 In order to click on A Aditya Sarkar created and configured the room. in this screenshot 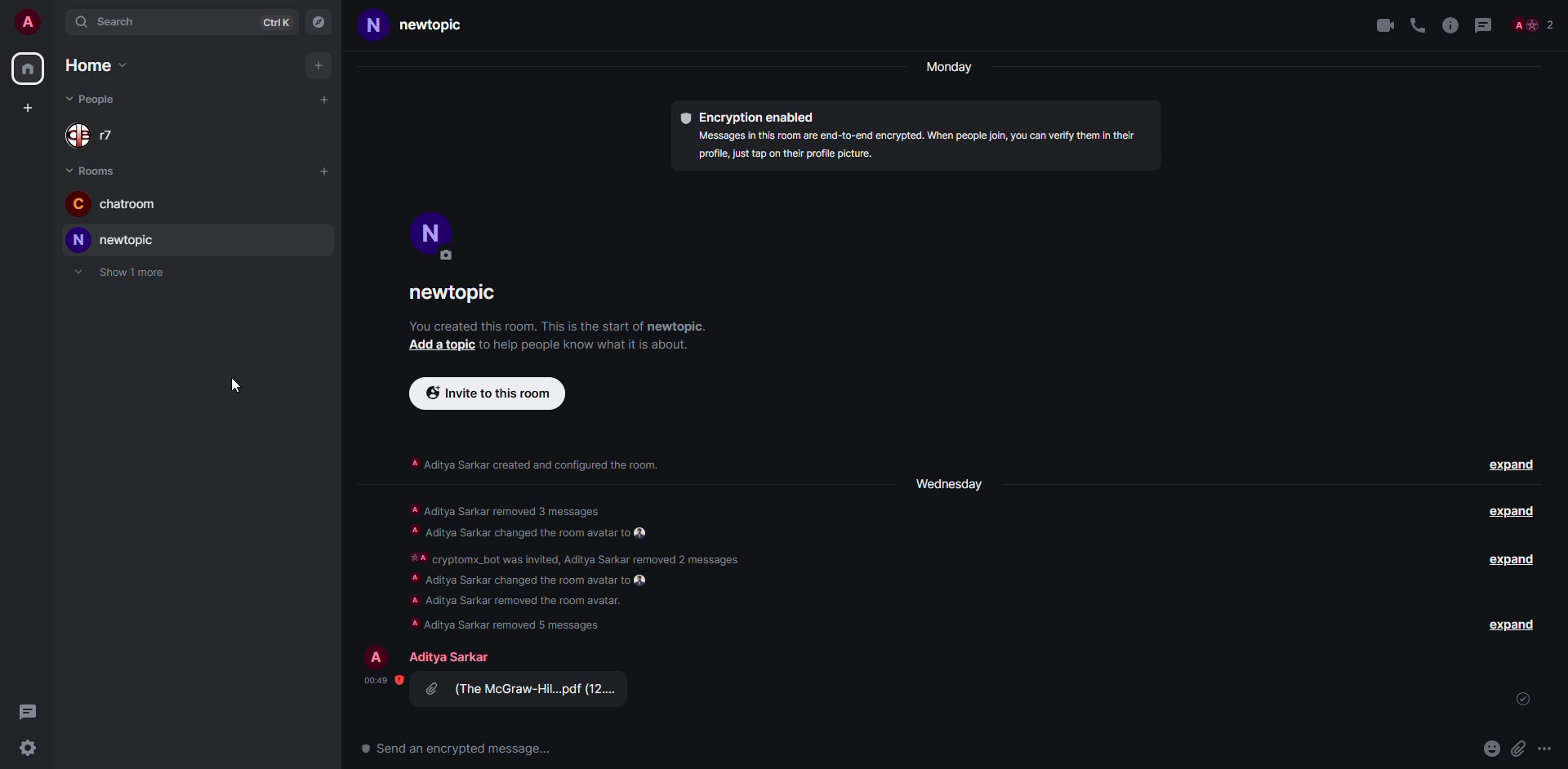, I will do `click(532, 465)`.